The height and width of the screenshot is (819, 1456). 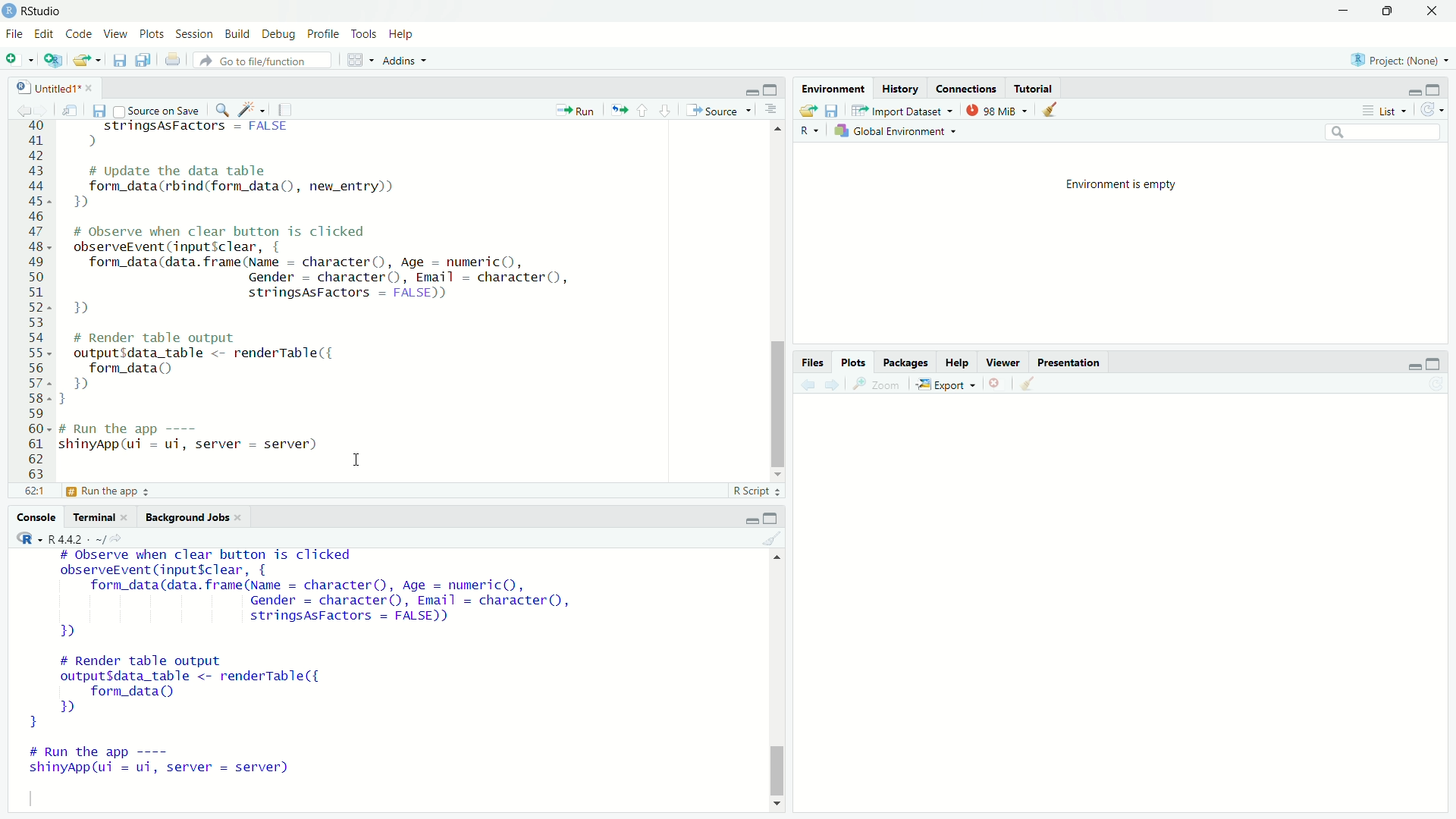 I want to click on minimize, so click(x=750, y=518).